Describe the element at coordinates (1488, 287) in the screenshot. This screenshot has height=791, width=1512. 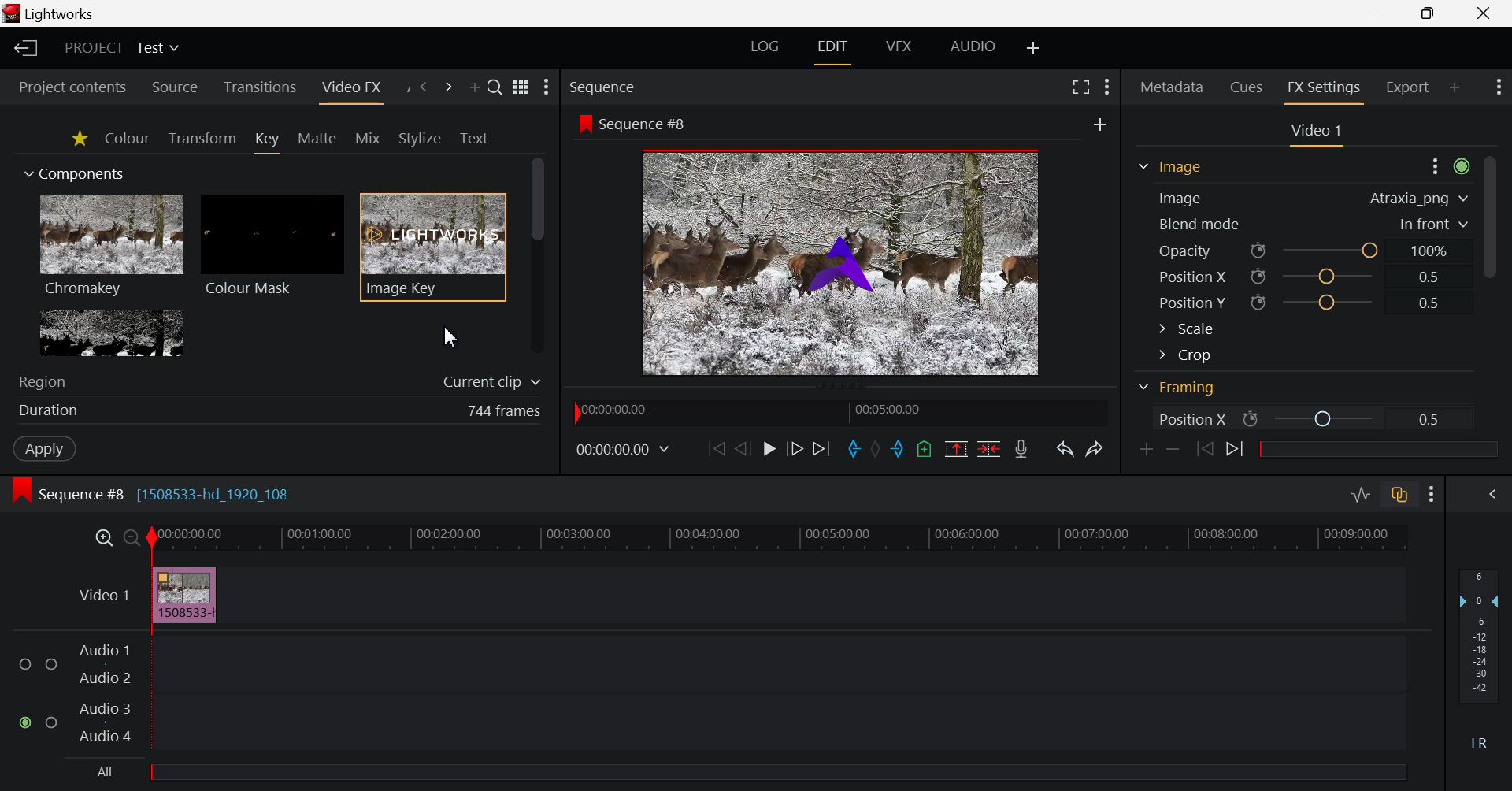
I see `Scroll Bar` at that location.